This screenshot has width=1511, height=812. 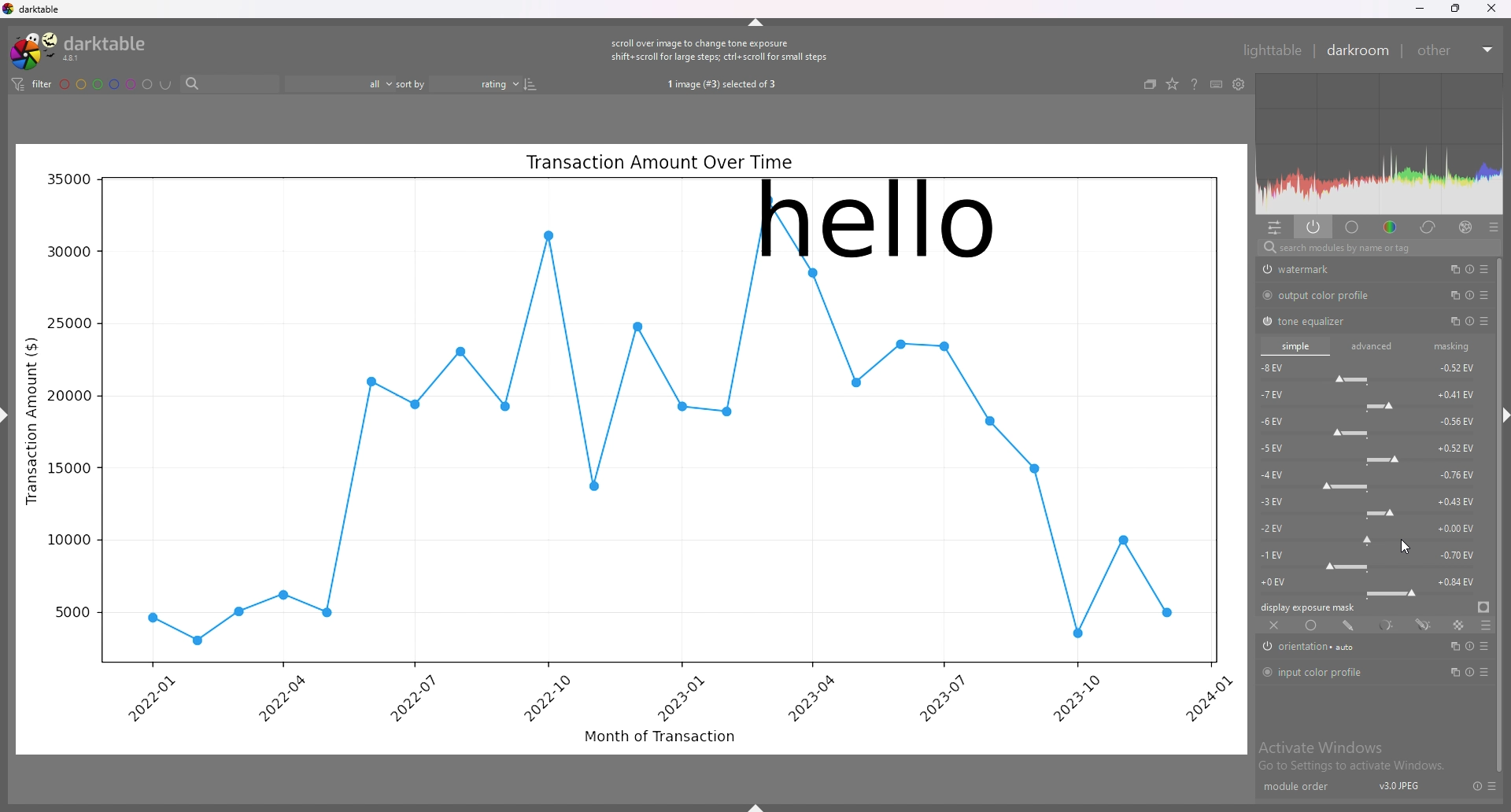 What do you see at coordinates (1369, 371) in the screenshot?
I see `-8 EV force` at bounding box center [1369, 371].